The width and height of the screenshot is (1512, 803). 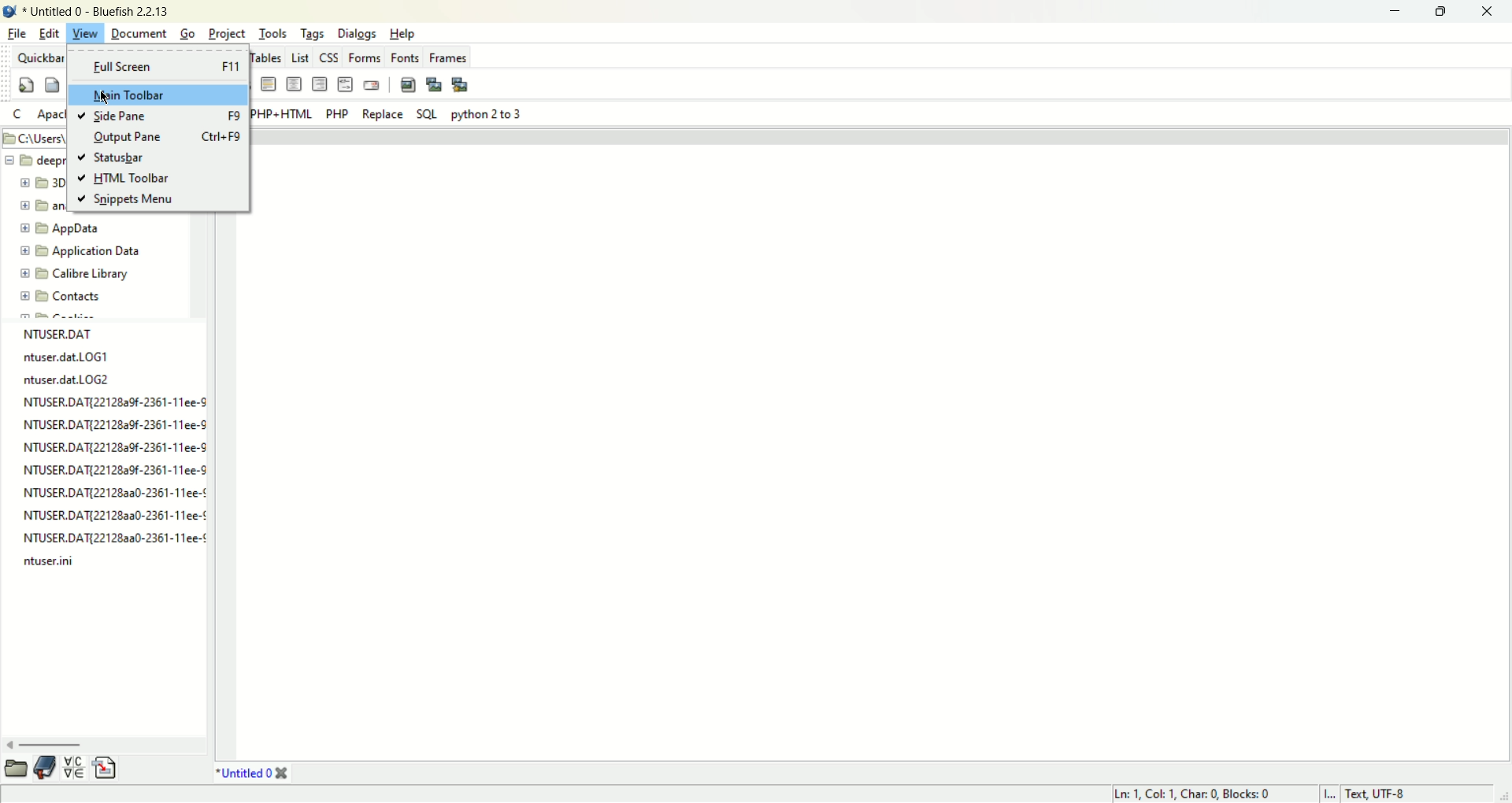 What do you see at coordinates (67, 331) in the screenshot?
I see `file name` at bounding box center [67, 331].